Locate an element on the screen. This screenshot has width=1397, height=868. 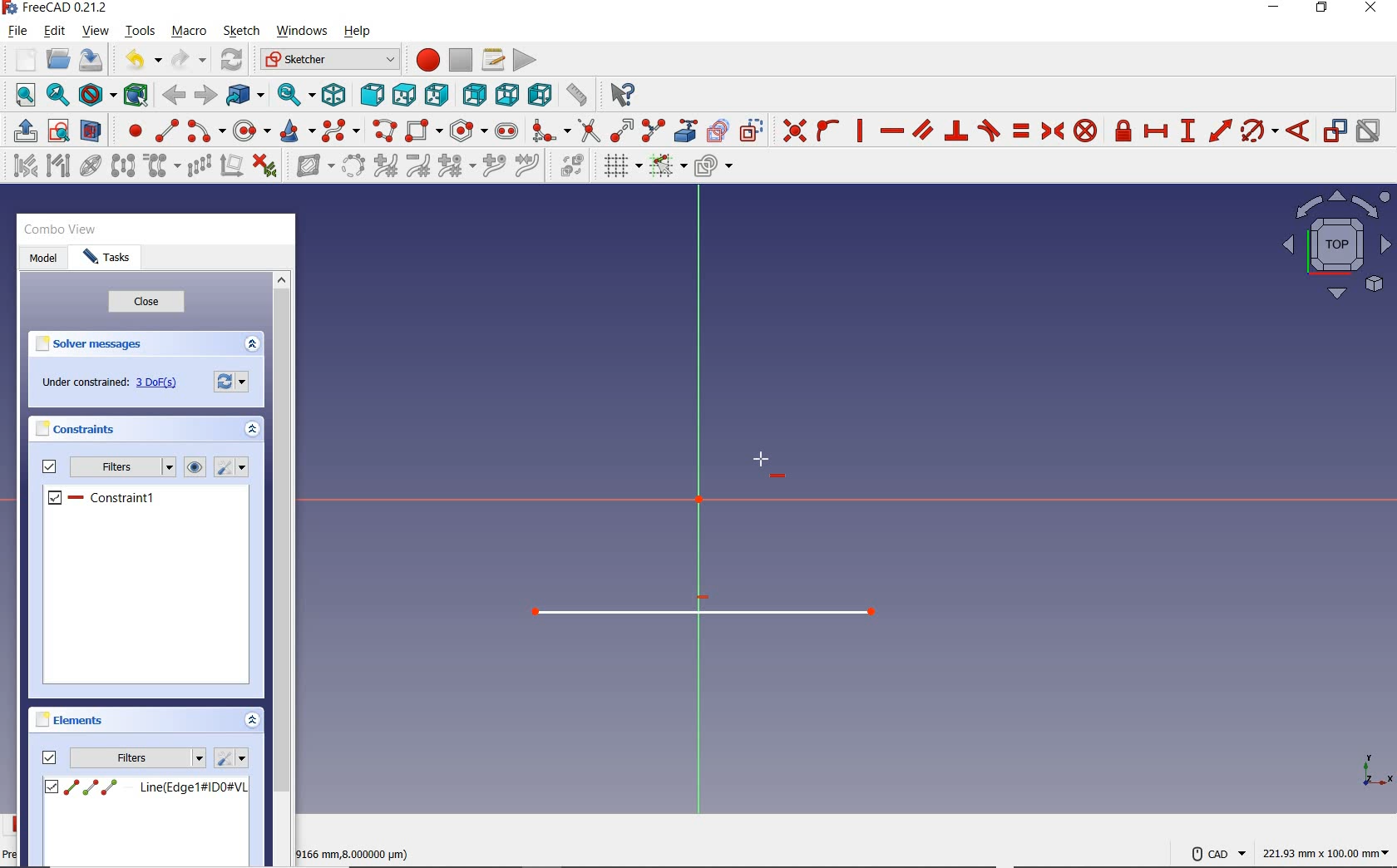
FORWARD is located at coordinates (205, 95).